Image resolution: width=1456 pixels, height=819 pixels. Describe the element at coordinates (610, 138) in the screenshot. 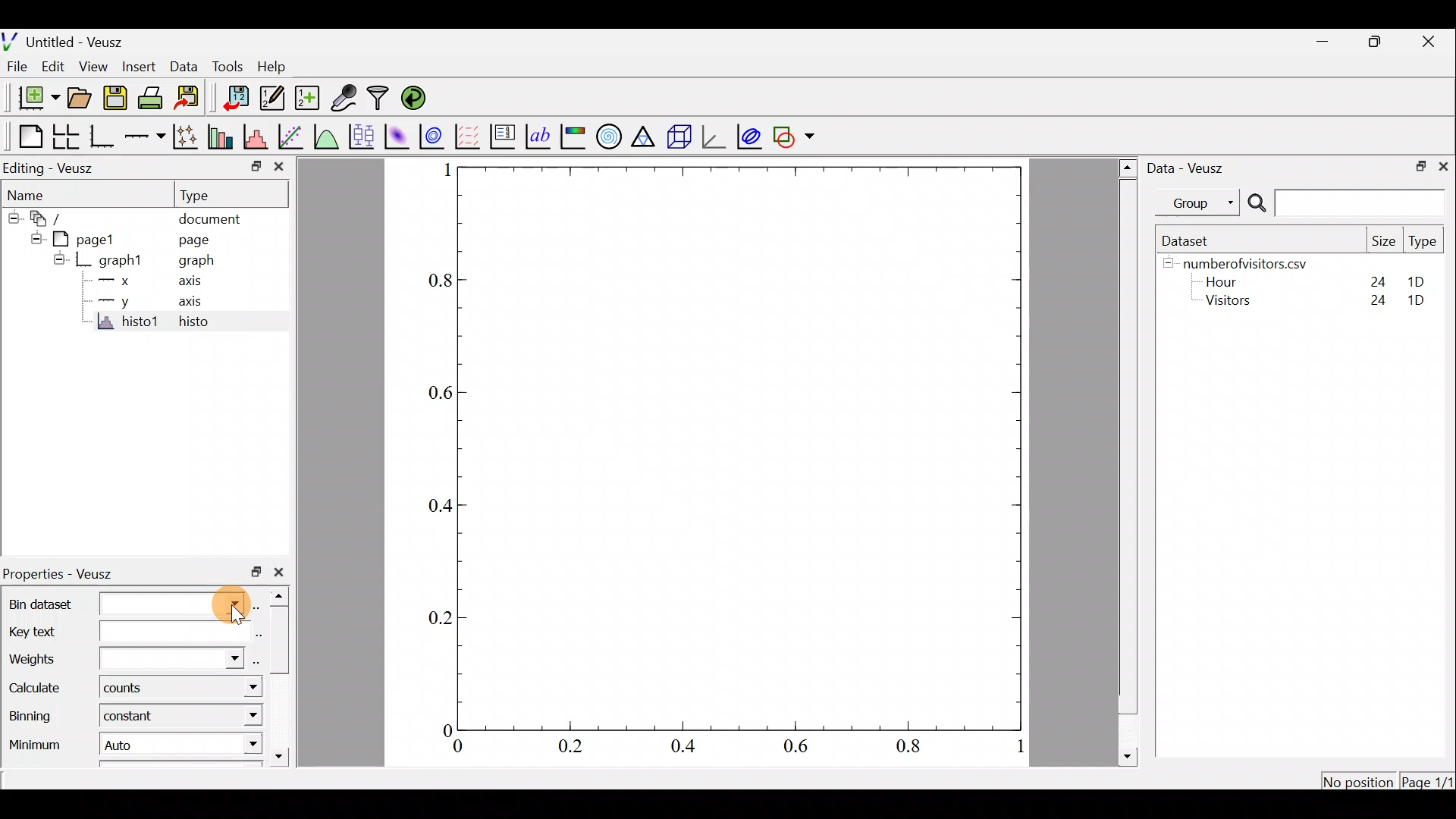

I see `polar graph` at that location.